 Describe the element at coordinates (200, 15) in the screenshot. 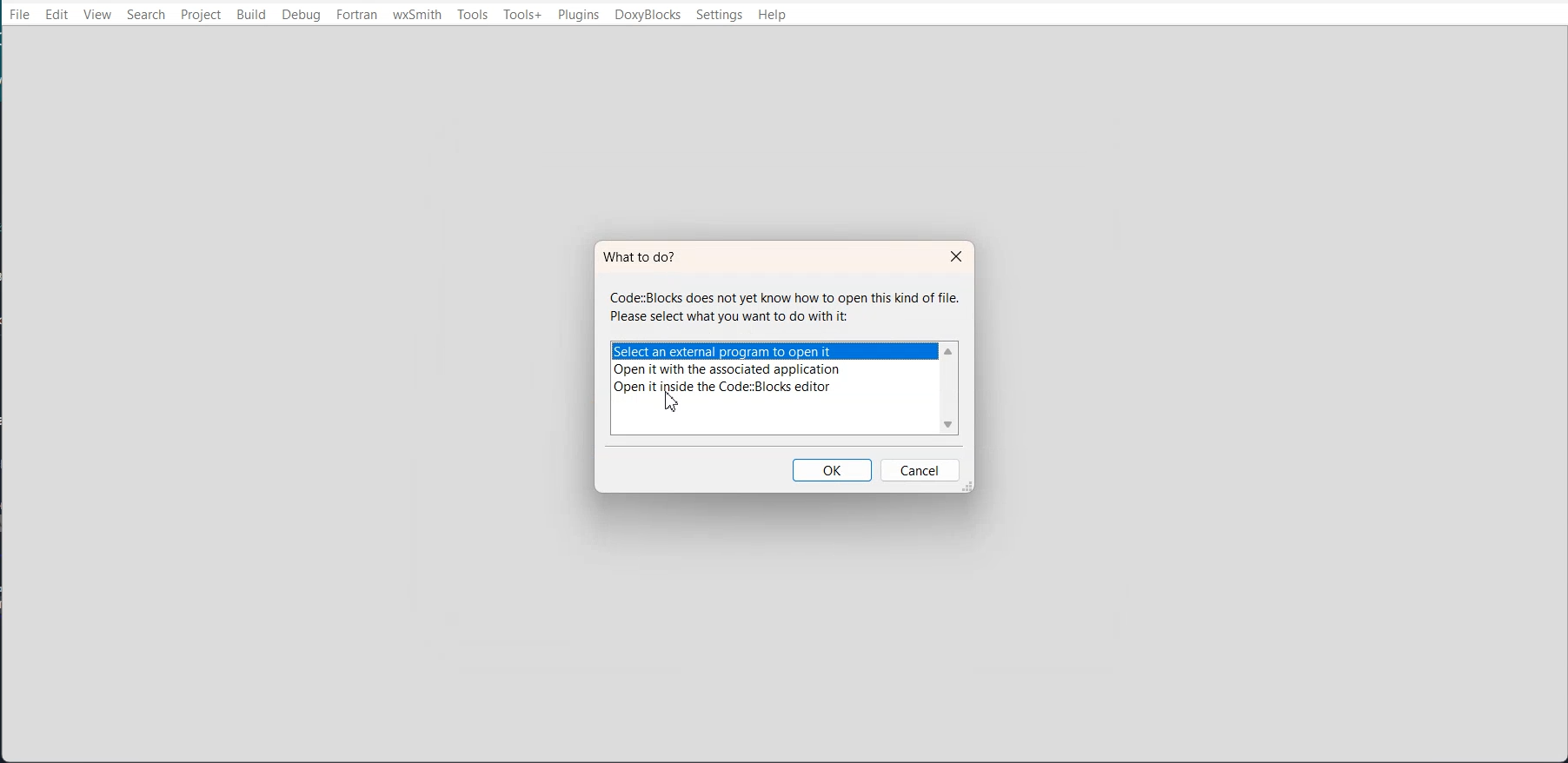

I see `Project` at that location.